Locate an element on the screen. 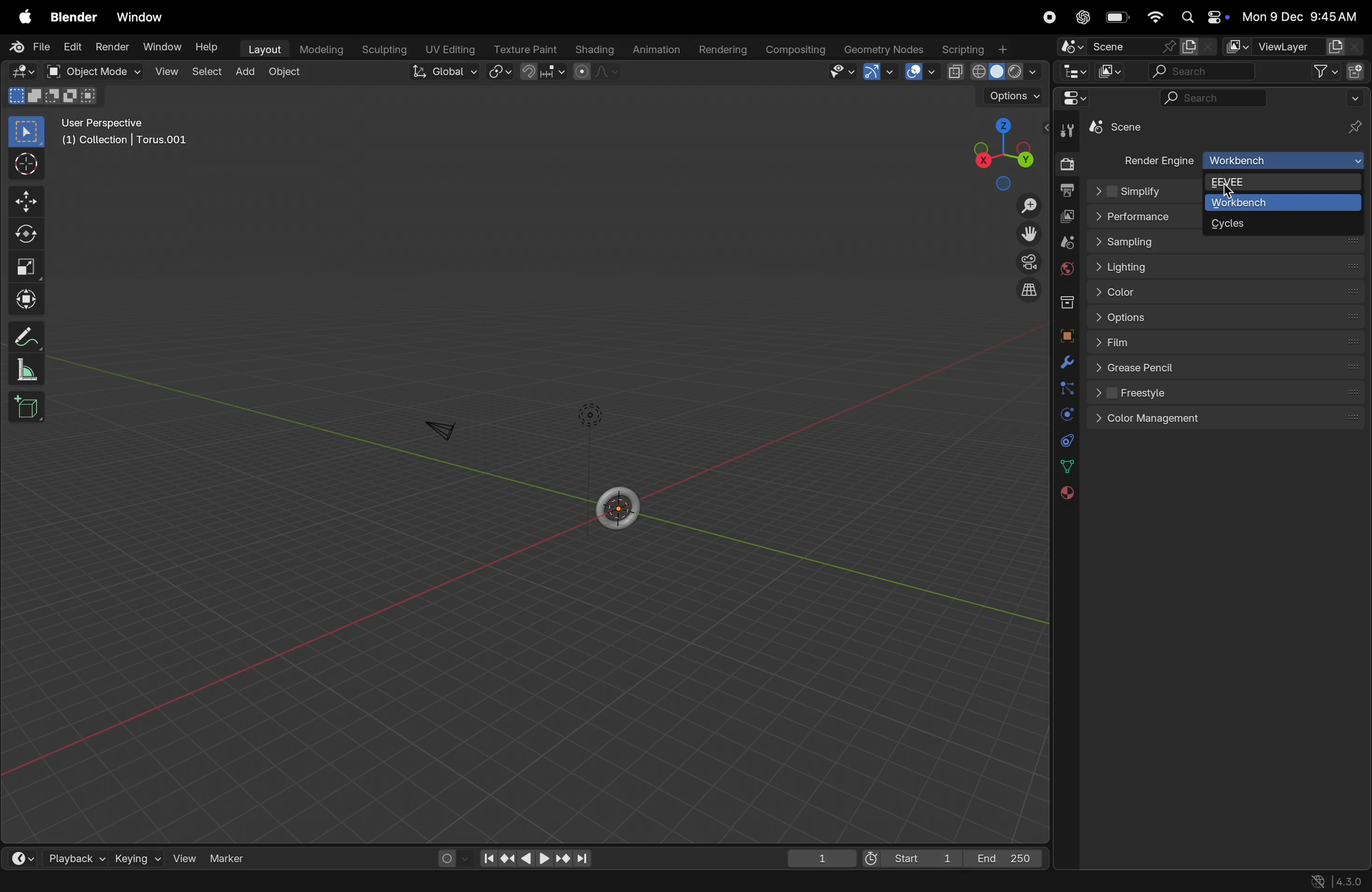  drpp down is located at coordinates (1355, 100).